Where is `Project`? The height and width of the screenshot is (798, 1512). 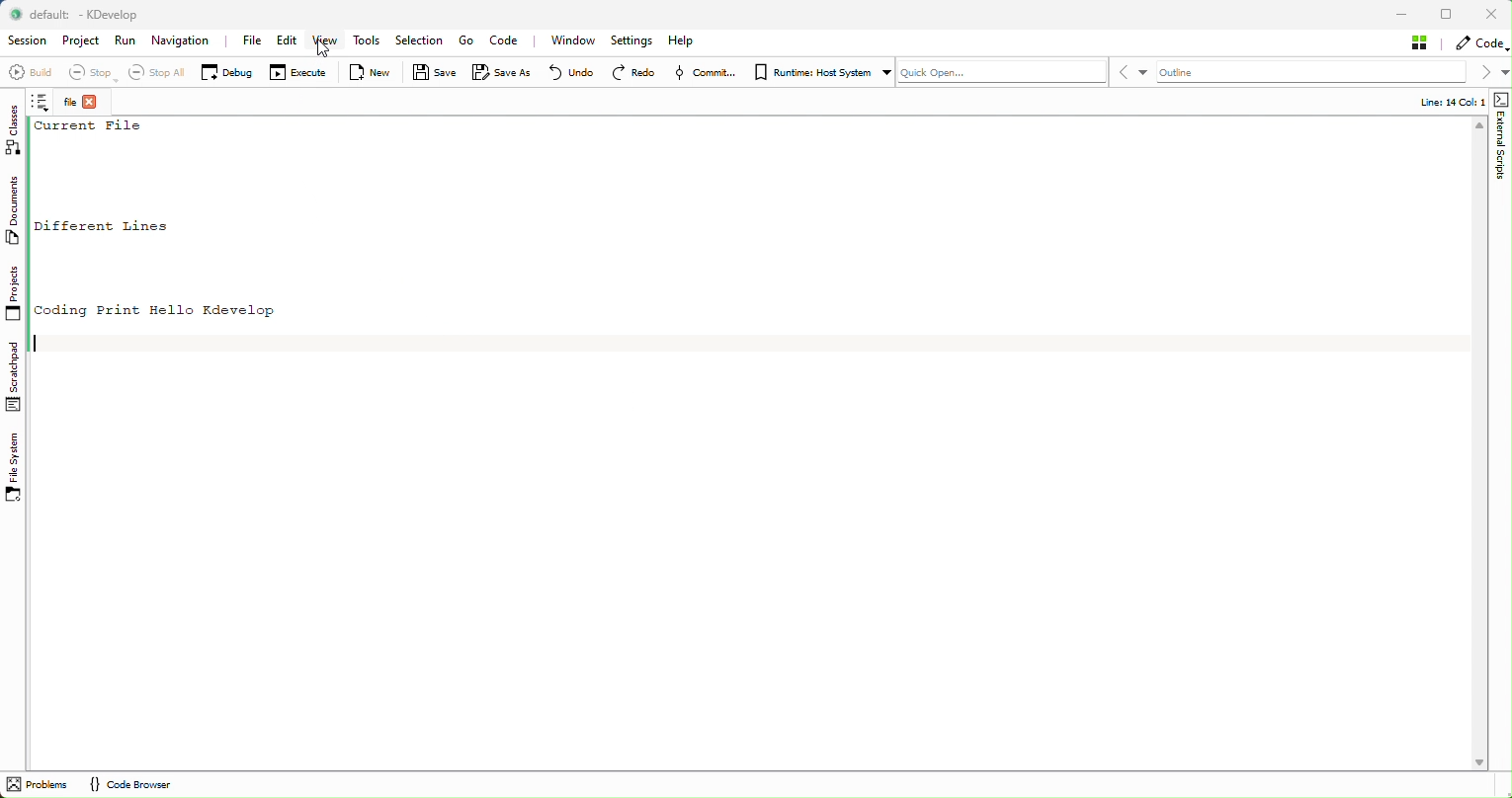 Project is located at coordinates (81, 42).